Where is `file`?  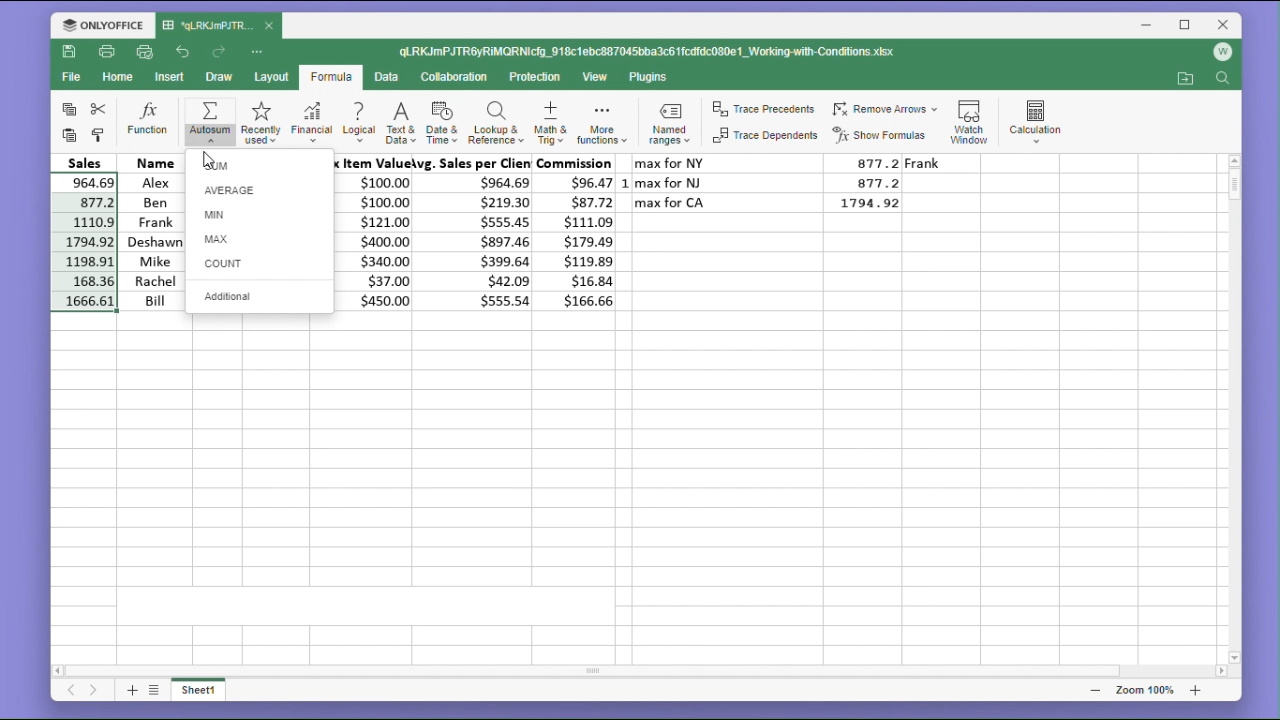
file is located at coordinates (71, 80).